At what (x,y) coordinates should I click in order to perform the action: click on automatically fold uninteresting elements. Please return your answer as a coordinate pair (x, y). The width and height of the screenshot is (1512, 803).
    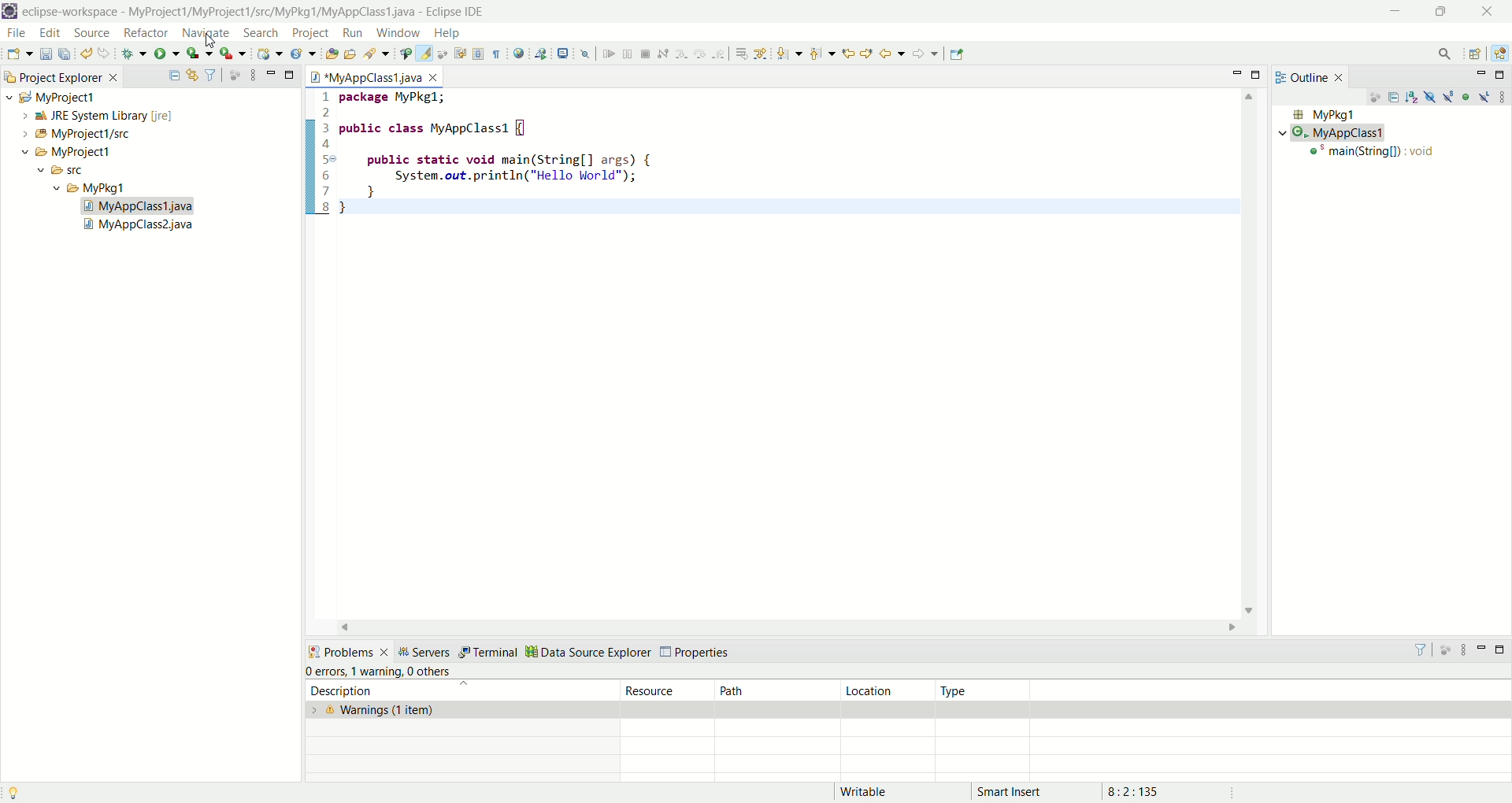
    Looking at the image, I should click on (445, 54).